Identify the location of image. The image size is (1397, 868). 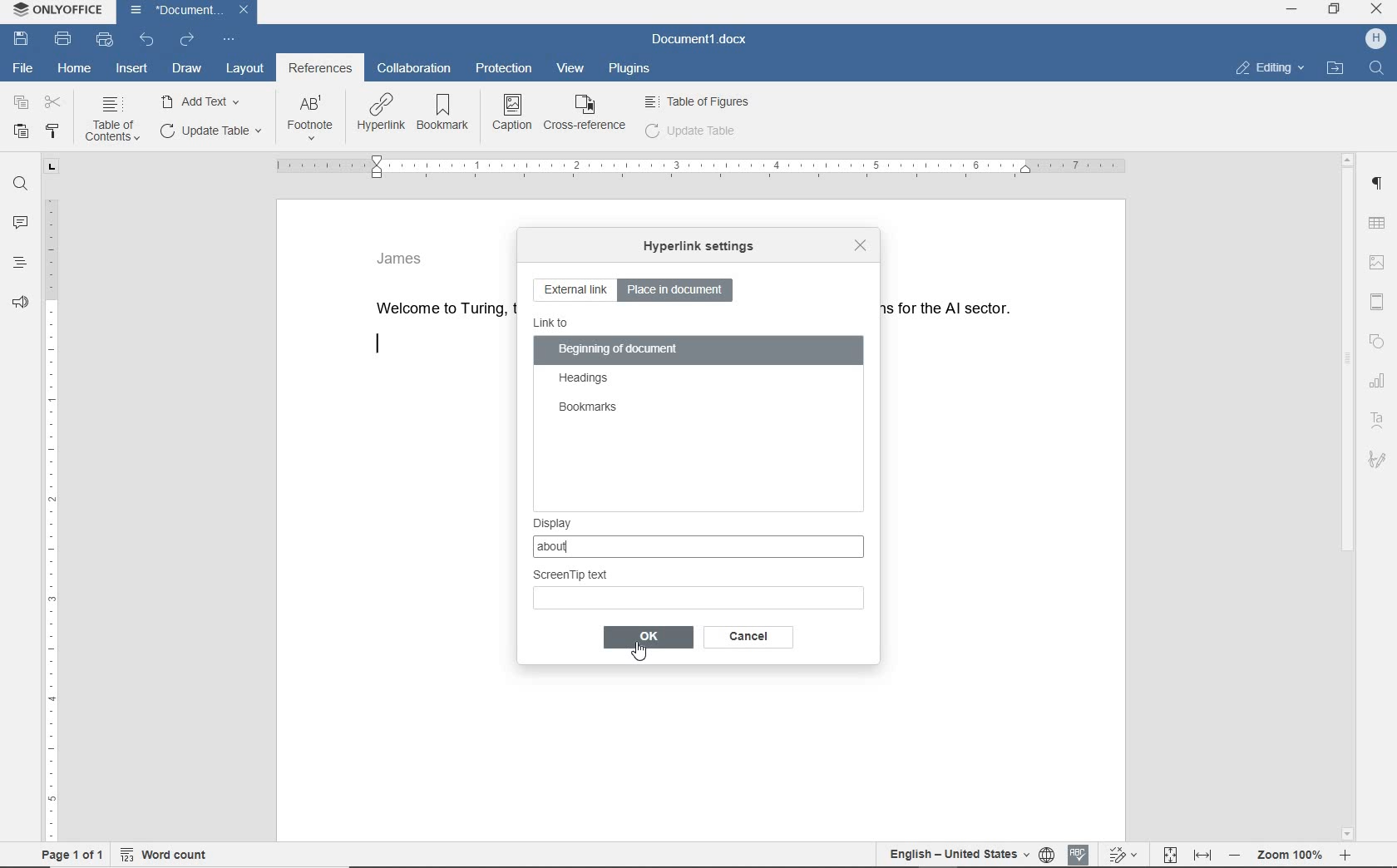
(1380, 259).